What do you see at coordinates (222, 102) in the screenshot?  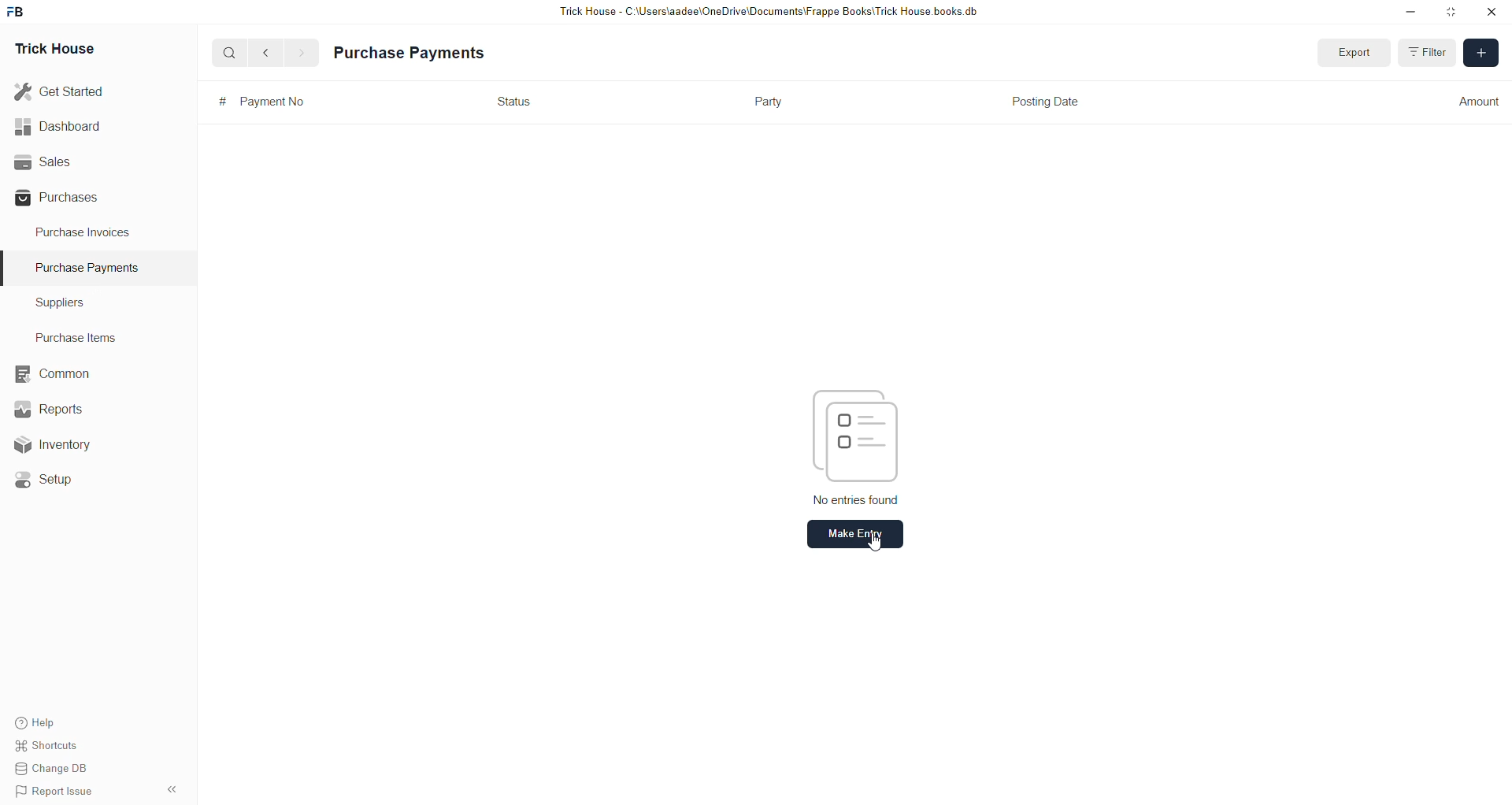 I see `serial no` at bounding box center [222, 102].